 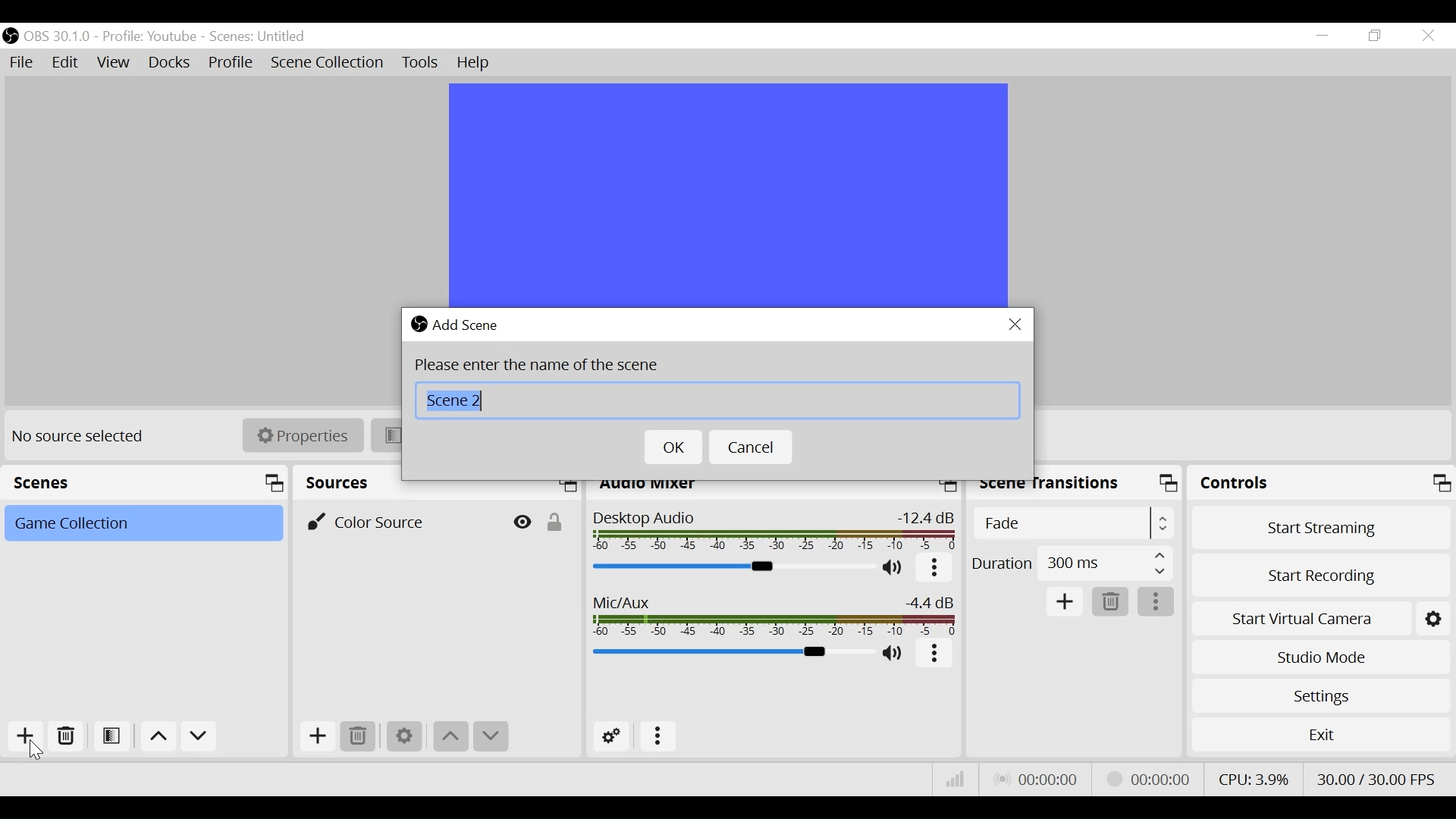 What do you see at coordinates (169, 64) in the screenshot?
I see `Docks` at bounding box center [169, 64].